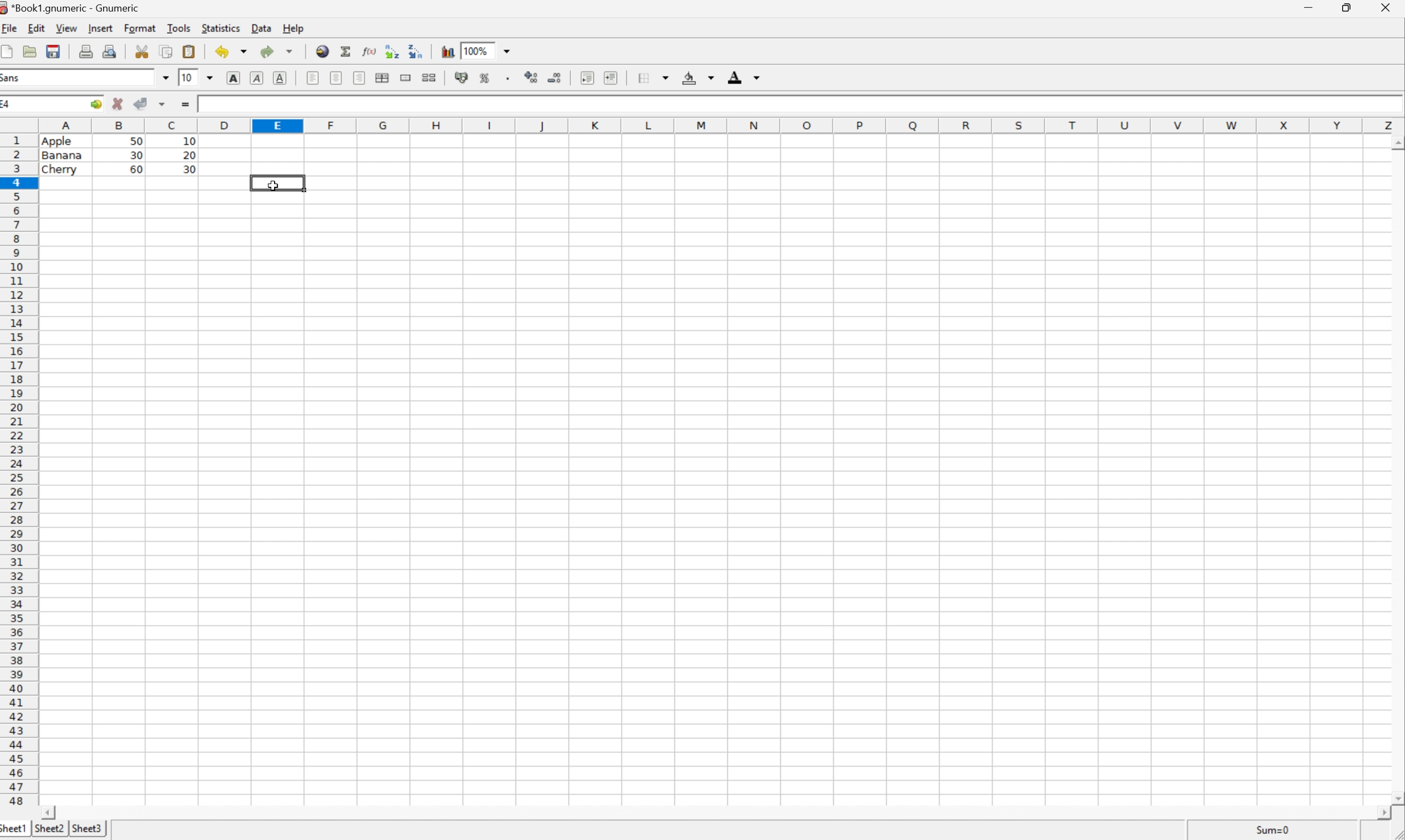 The height and width of the screenshot is (840, 1405). I want to click on save in current workbook, so click(54, 50).